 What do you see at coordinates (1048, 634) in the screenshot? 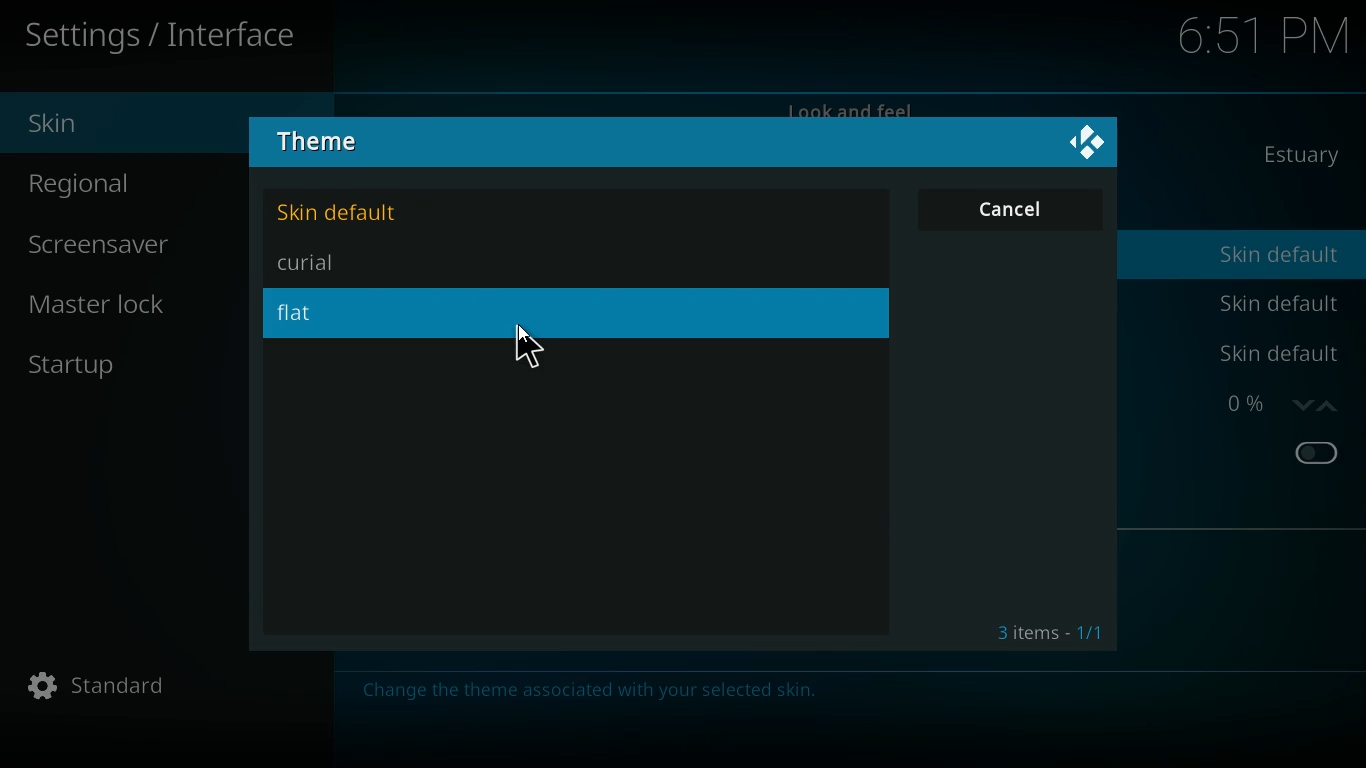
I see `number of itens` at bounding box center [1048, 634].